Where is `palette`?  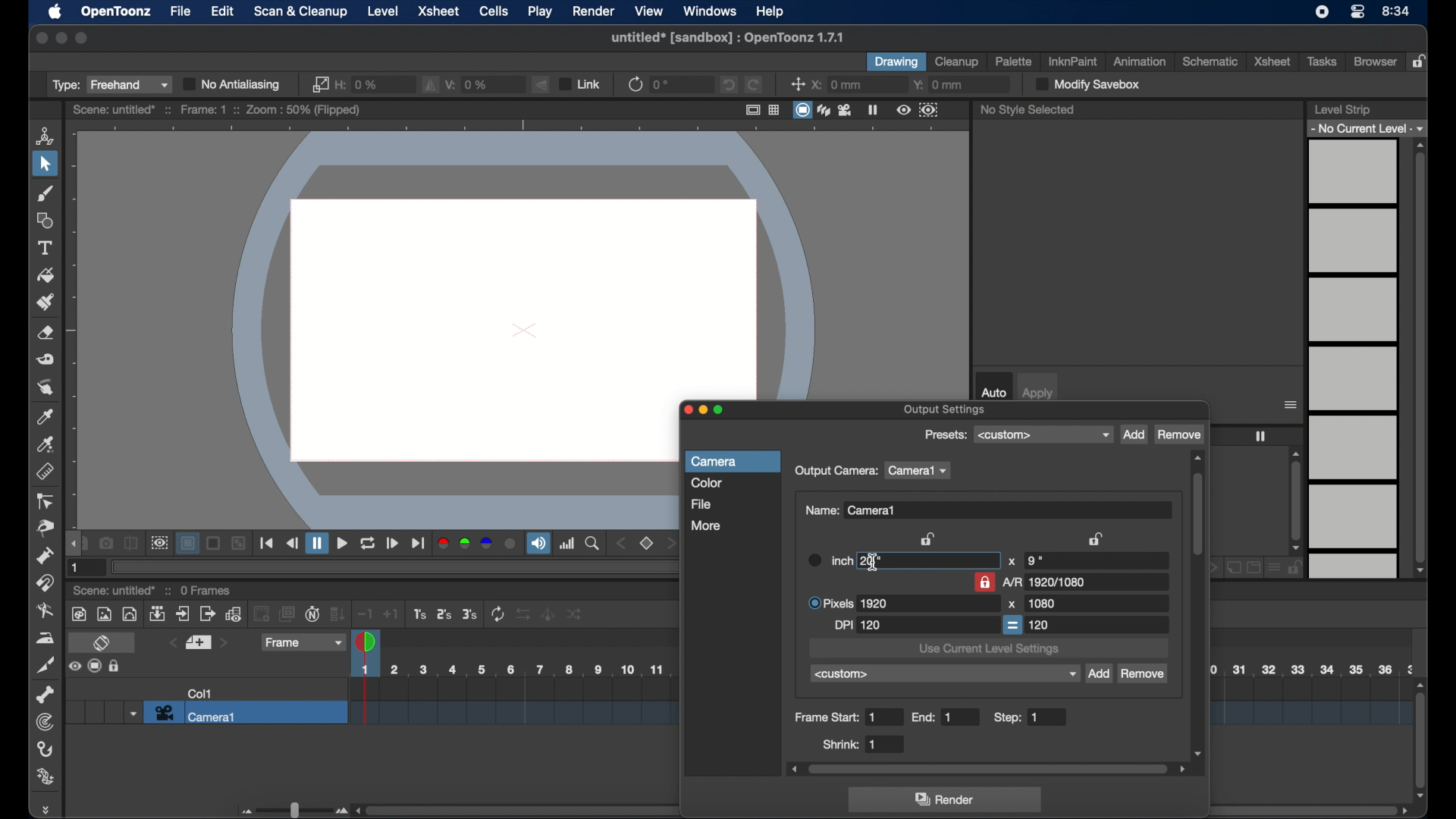 palette is located at coordinates (1014, 61).